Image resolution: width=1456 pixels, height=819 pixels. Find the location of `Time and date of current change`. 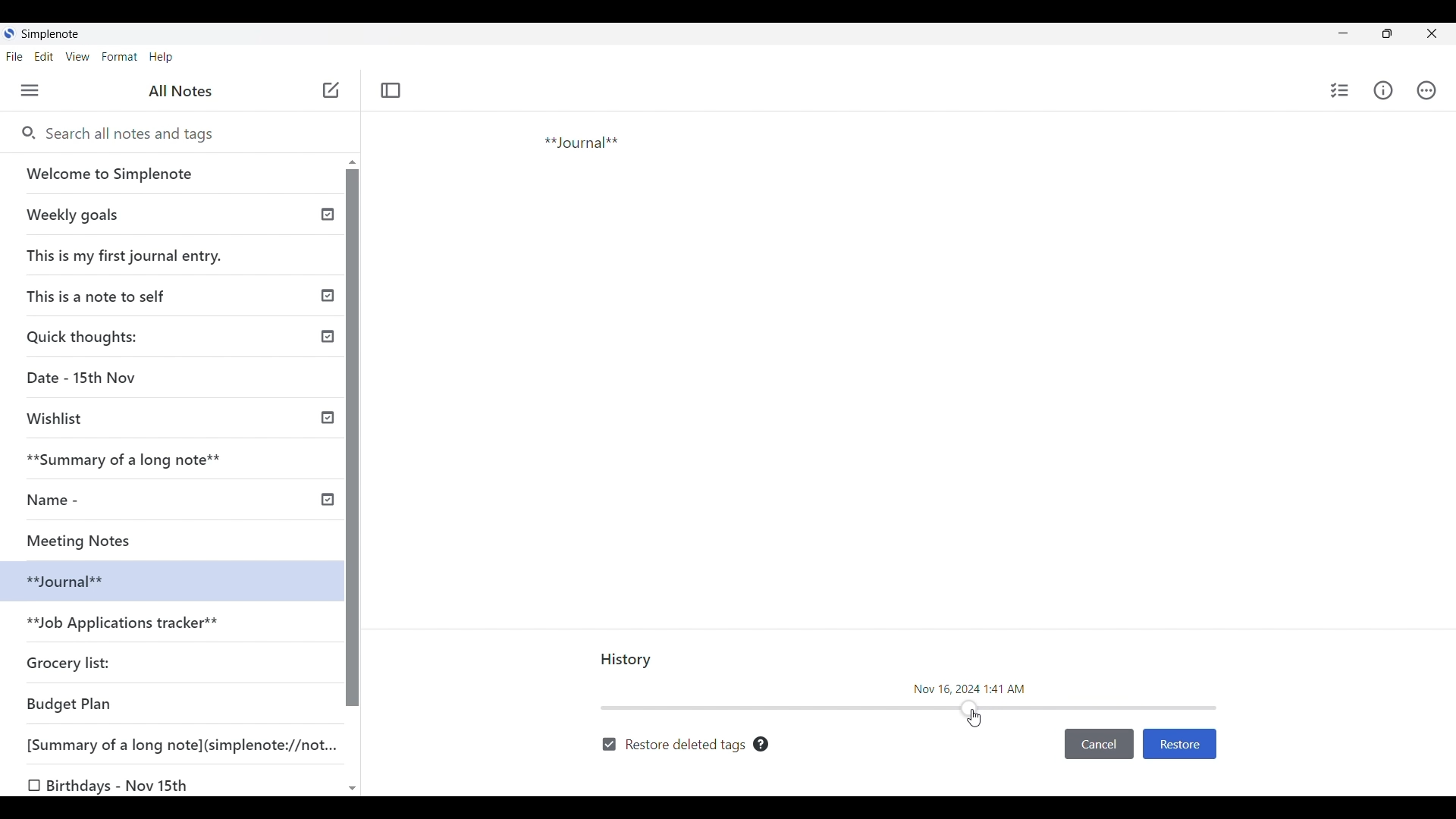

Time and date of current change is located at coordinates (970, 688).